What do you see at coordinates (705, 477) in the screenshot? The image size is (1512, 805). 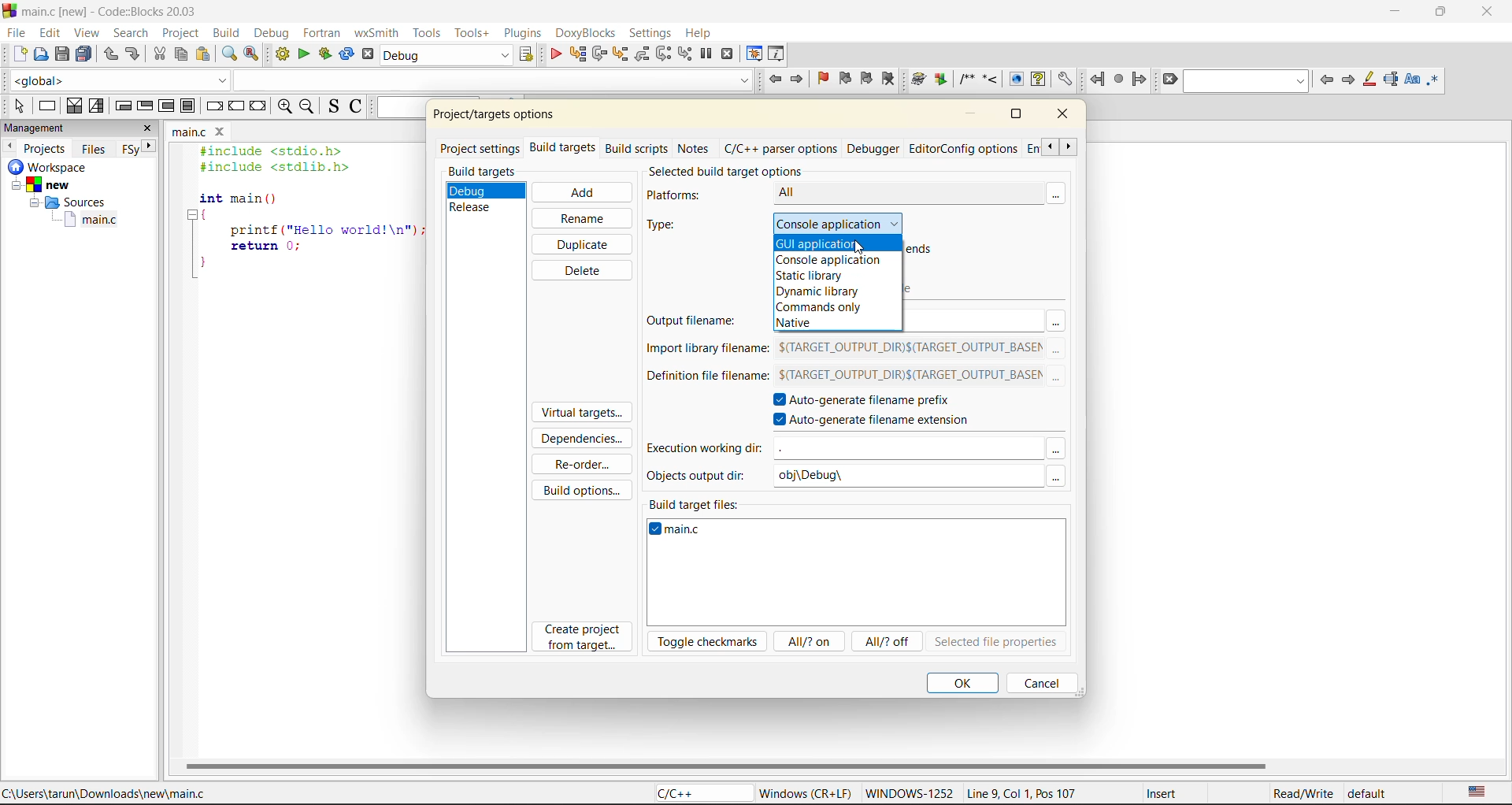 I see `objects output dir:` at bounding box center [705, 477].